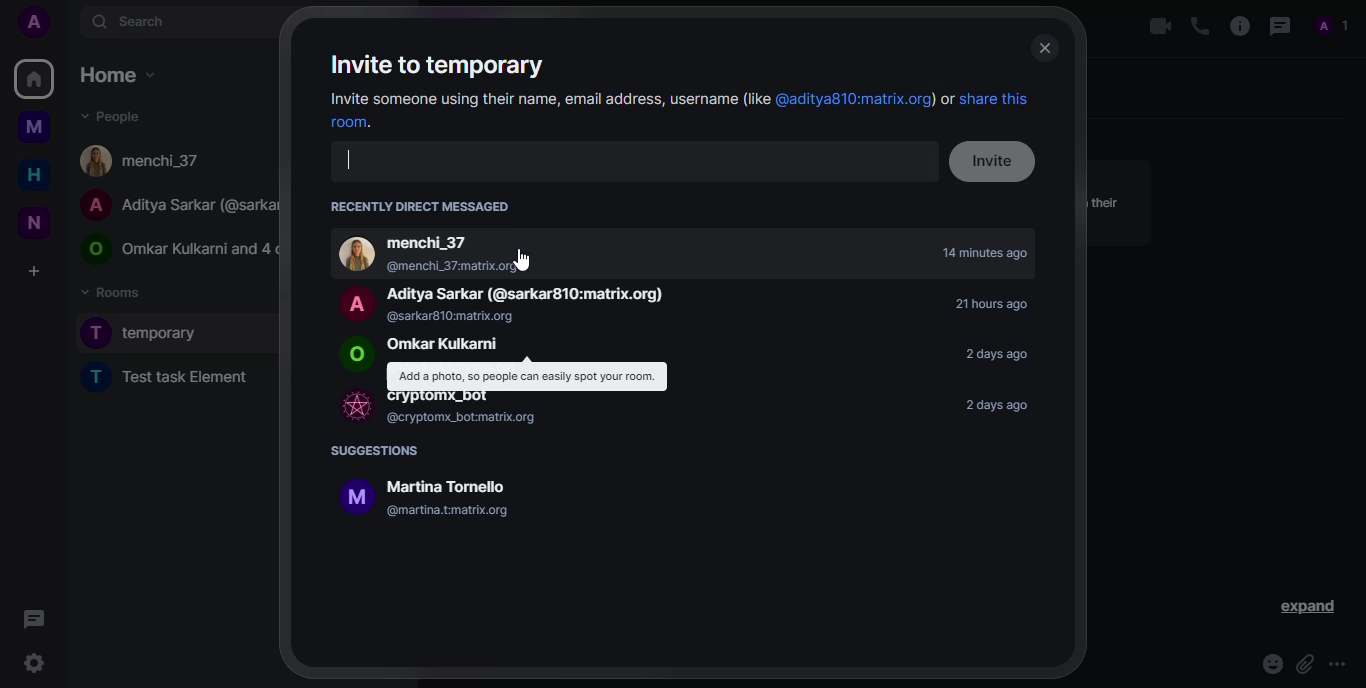 Image resolution: width=1366 pixels, height=688 pixels. Describe the element at coordinates (1196, 25) in the screenshot. I see `voice call` at that location.